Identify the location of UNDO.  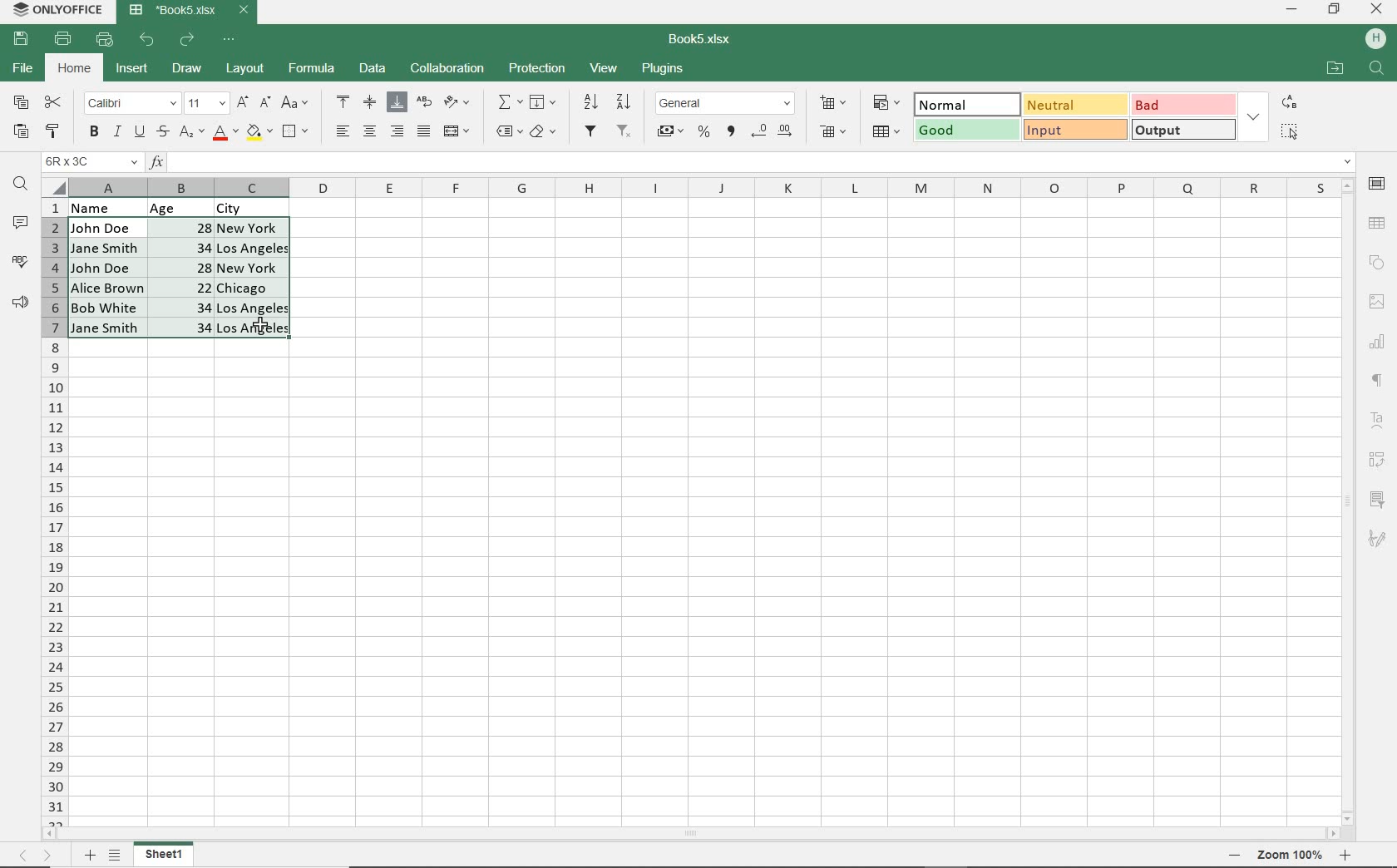
(149, 40).